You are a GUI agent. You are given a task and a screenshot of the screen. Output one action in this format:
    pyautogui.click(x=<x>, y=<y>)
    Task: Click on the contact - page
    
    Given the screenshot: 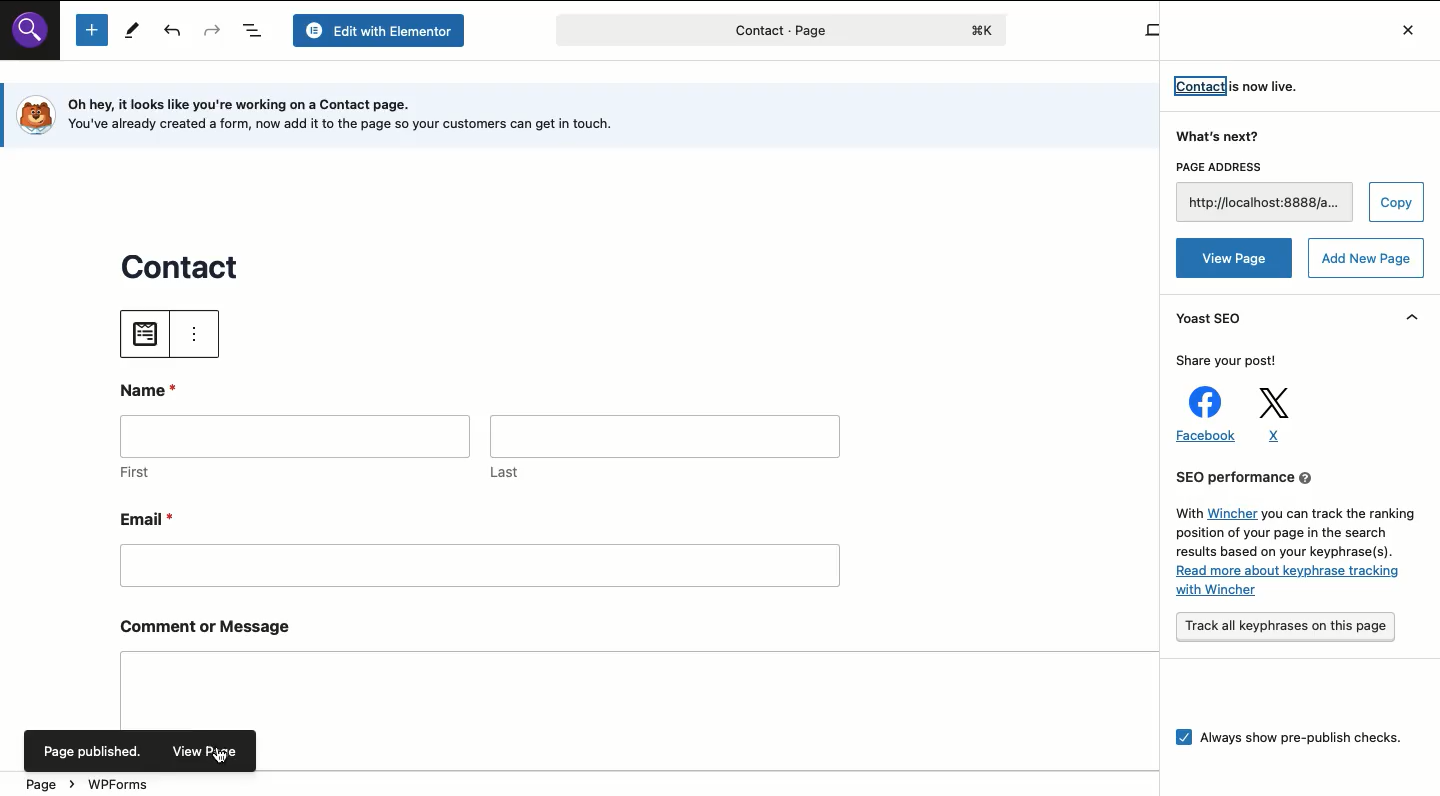 What is the action you would take?
    pyautogui.click(x=706, y=34)
    